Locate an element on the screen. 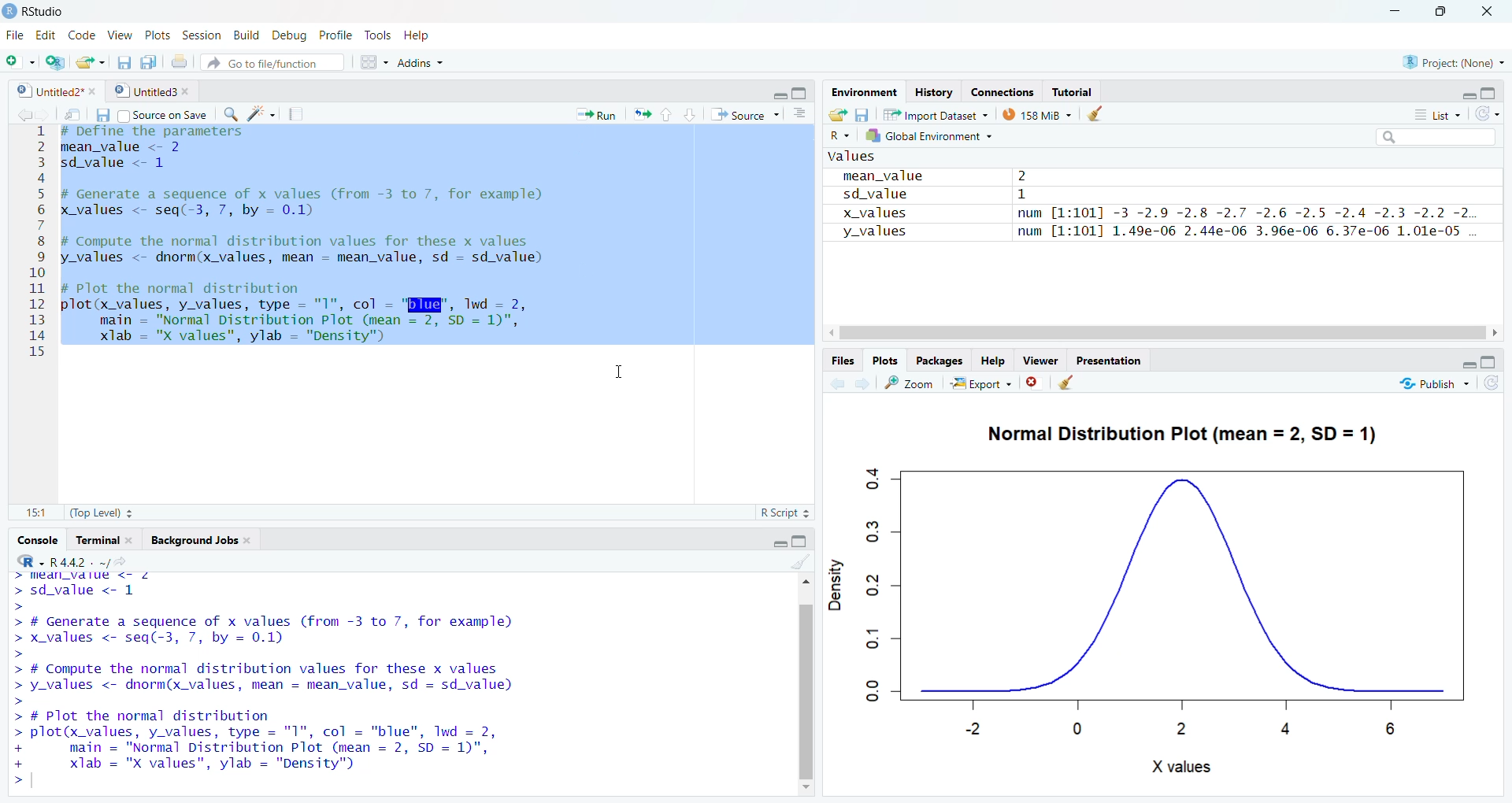 This screenshot has width=1512, height=803. Code is located at coordinates (81, 35).